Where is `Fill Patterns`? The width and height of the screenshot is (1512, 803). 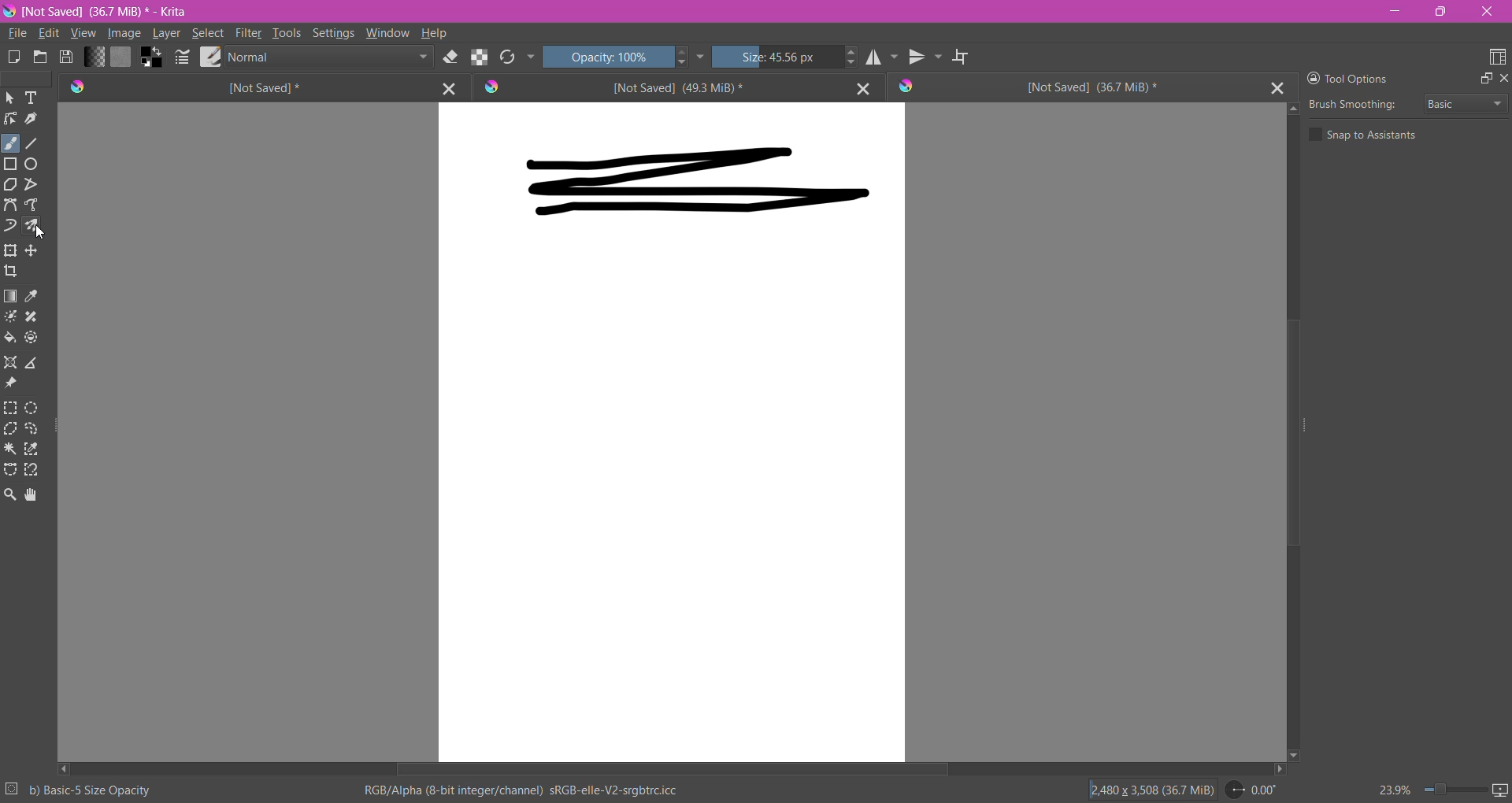
Fill Patterns is located at coordinates (122, 57).